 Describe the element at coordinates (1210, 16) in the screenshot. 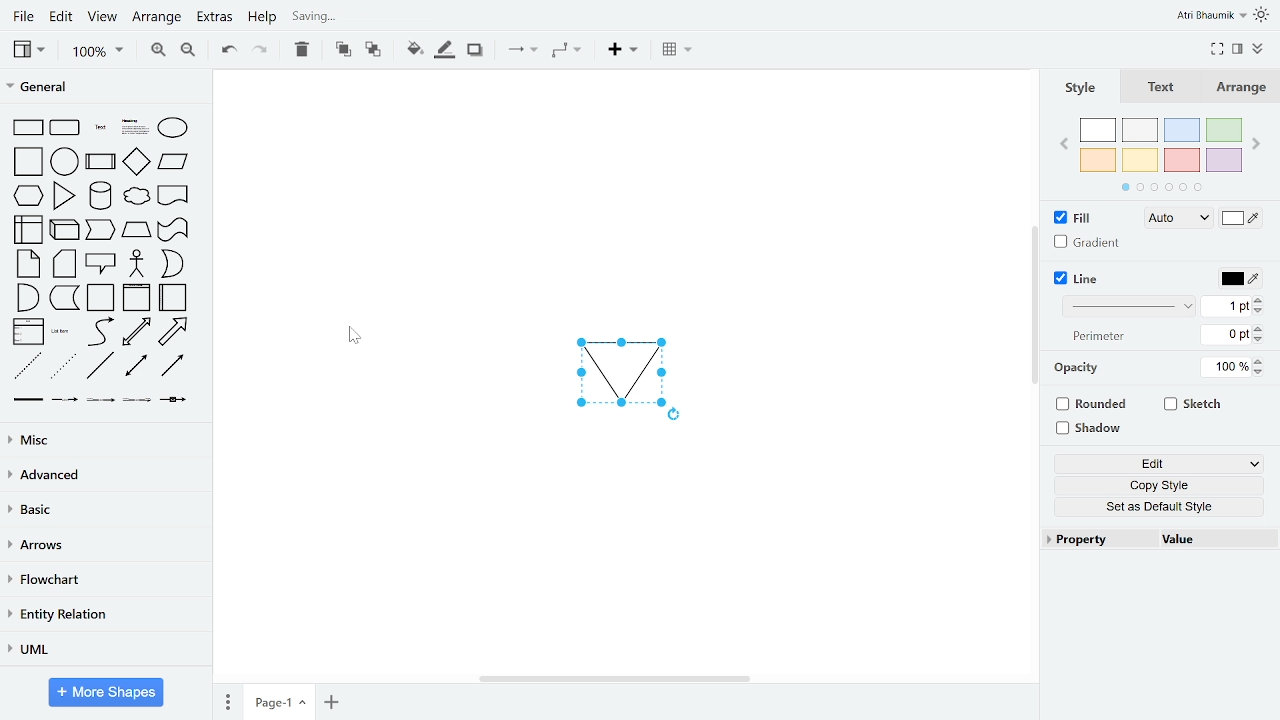

I see `profile Atri Bhaumik` at that location.